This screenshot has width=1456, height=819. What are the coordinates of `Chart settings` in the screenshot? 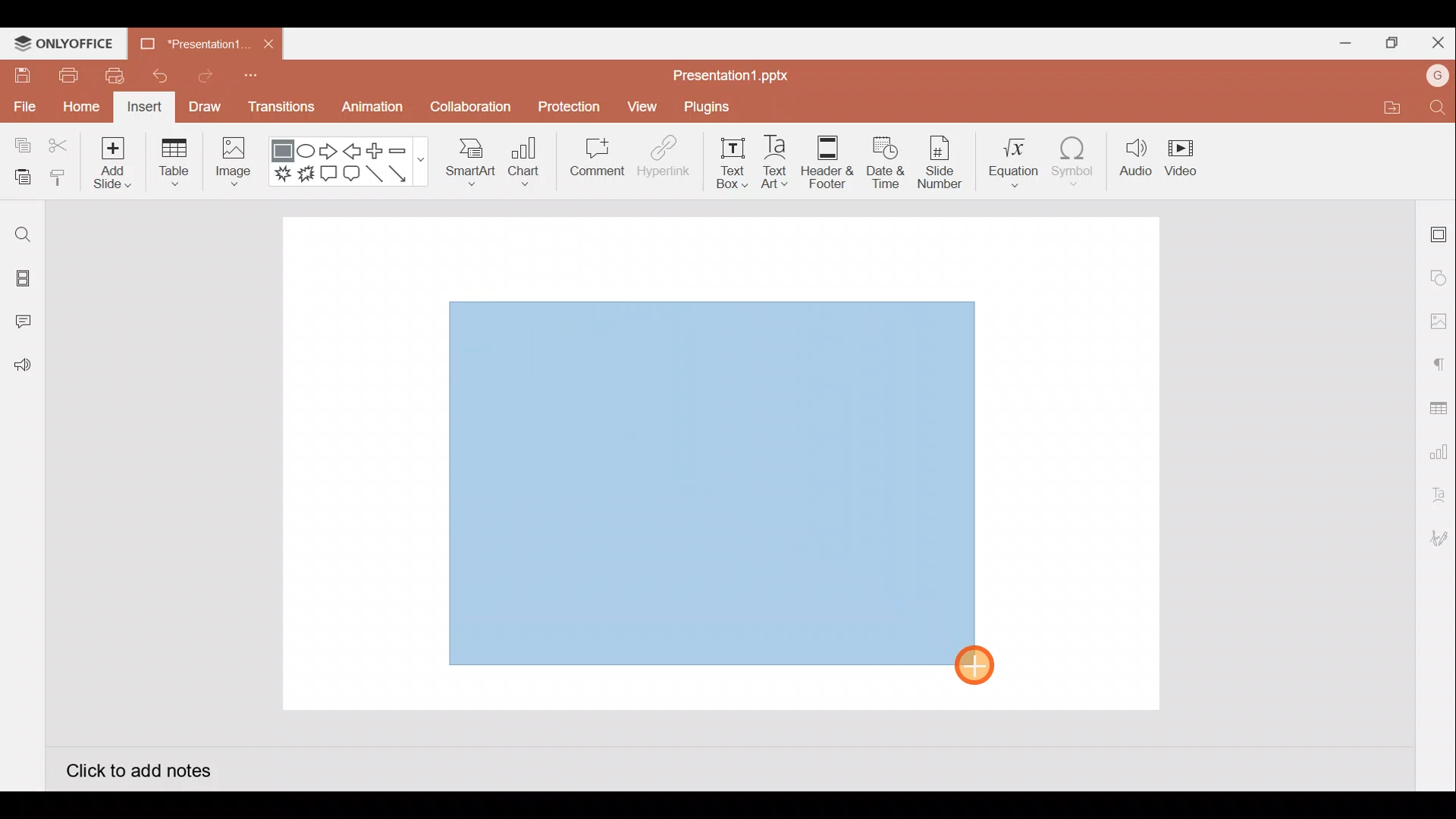 It's located at (1436, 449).